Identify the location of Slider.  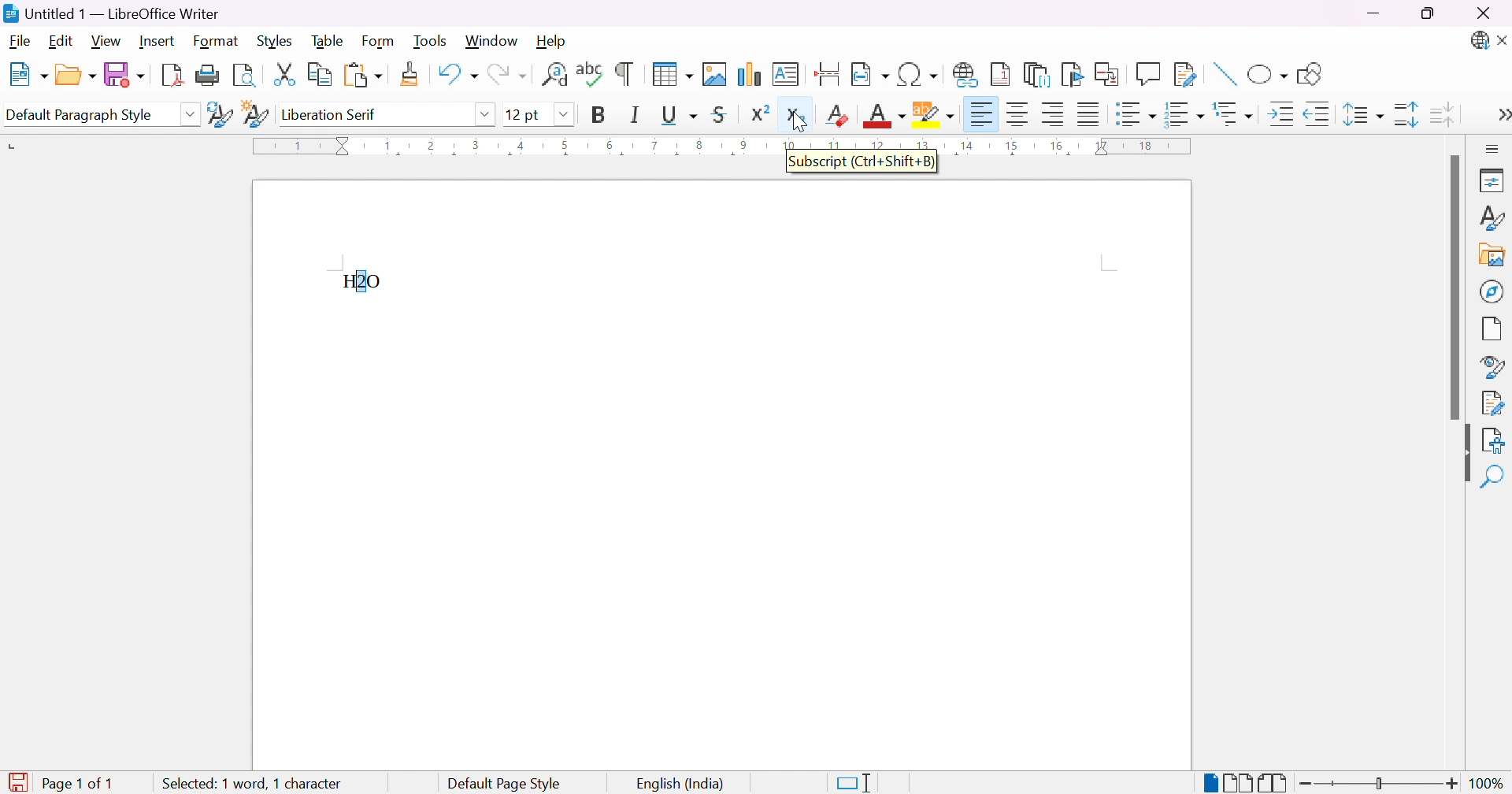
(1377, 785).